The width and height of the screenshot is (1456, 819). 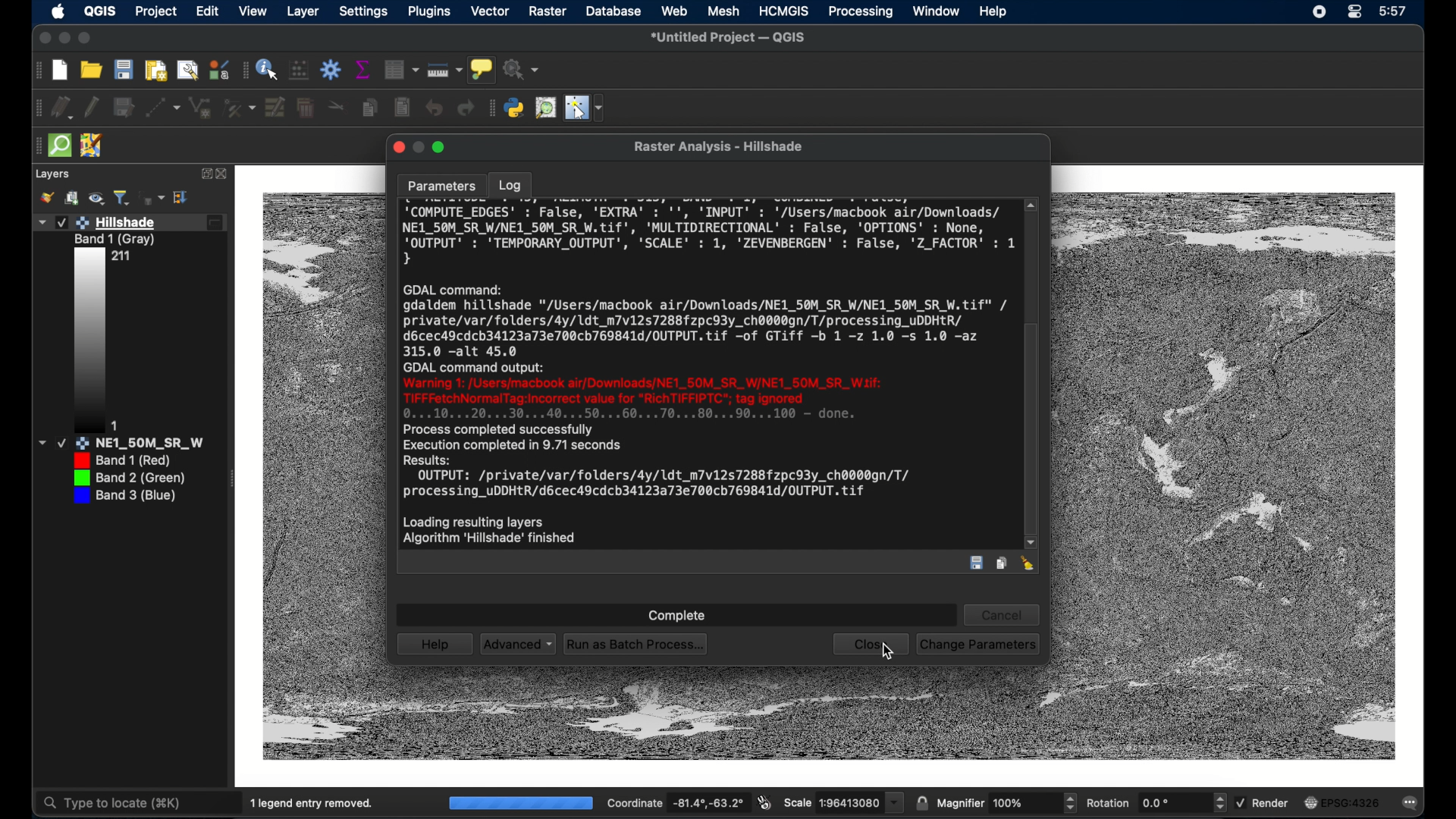 What do you see at coordinates (306, 106) in the screenshot?
I see `delete selected` at bounding box center [306, 106].